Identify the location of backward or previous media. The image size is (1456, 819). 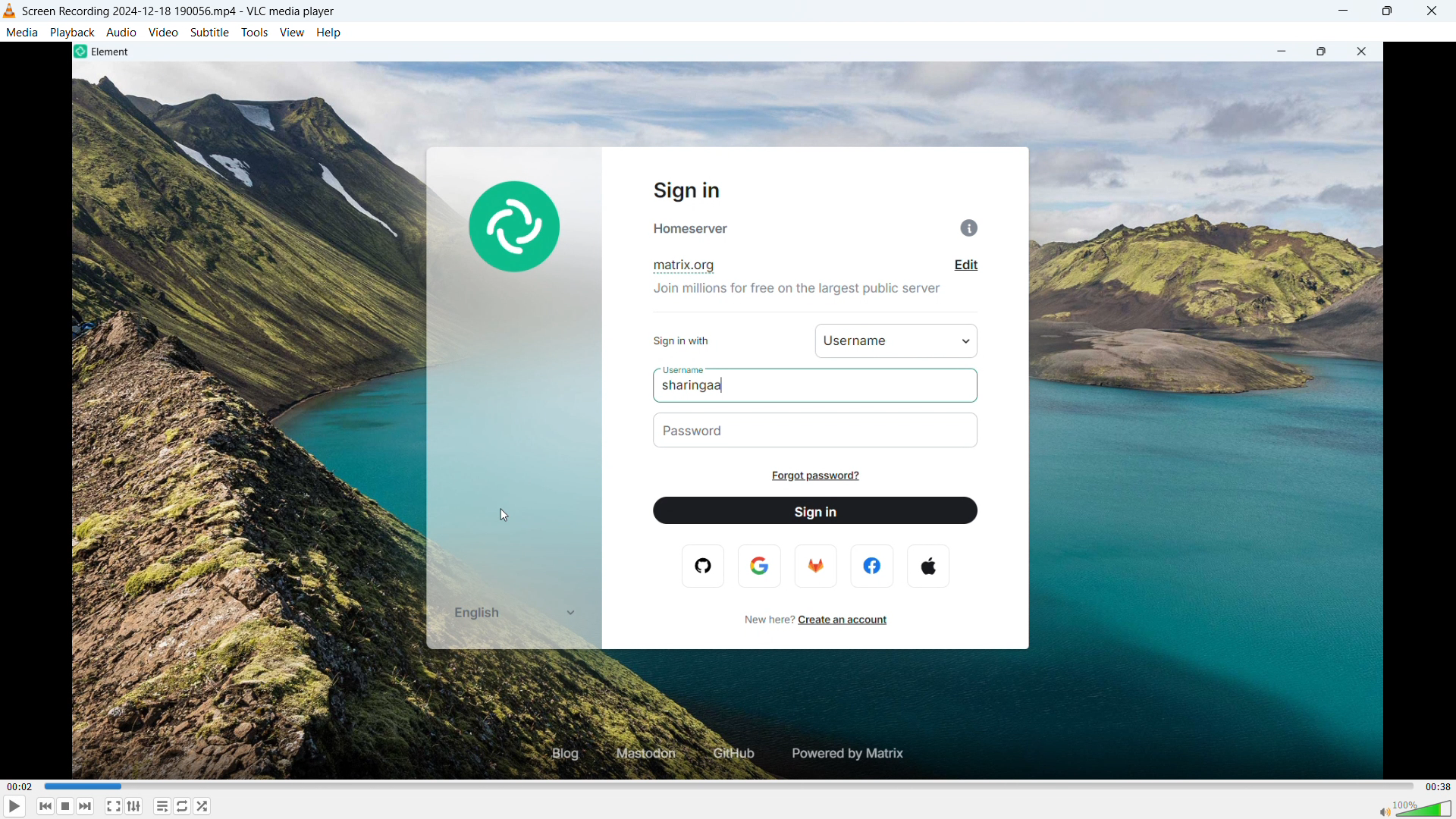
(45, 806).